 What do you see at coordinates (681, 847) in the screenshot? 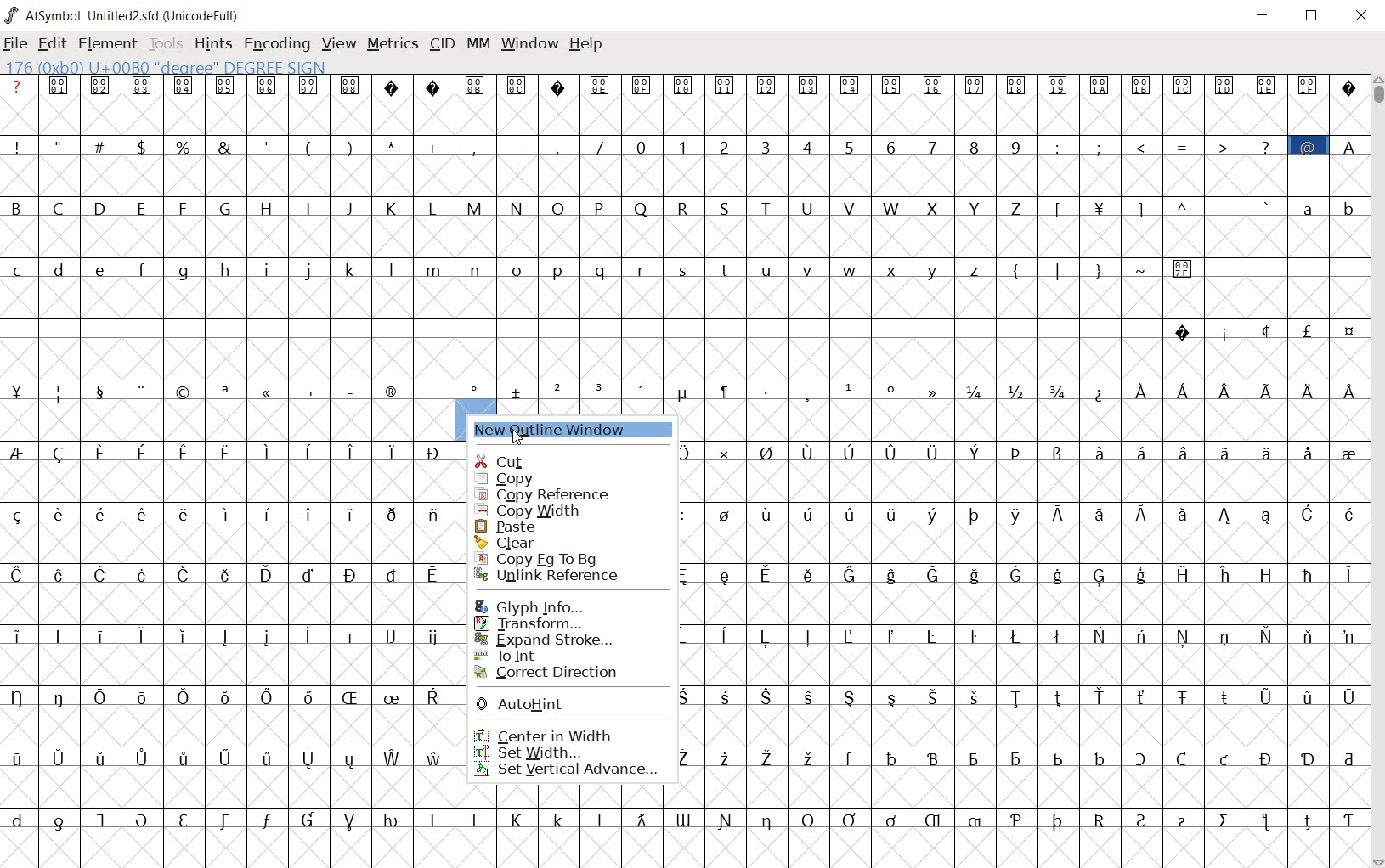
I see `empty glyph slot` at bounding box center [681, 847].